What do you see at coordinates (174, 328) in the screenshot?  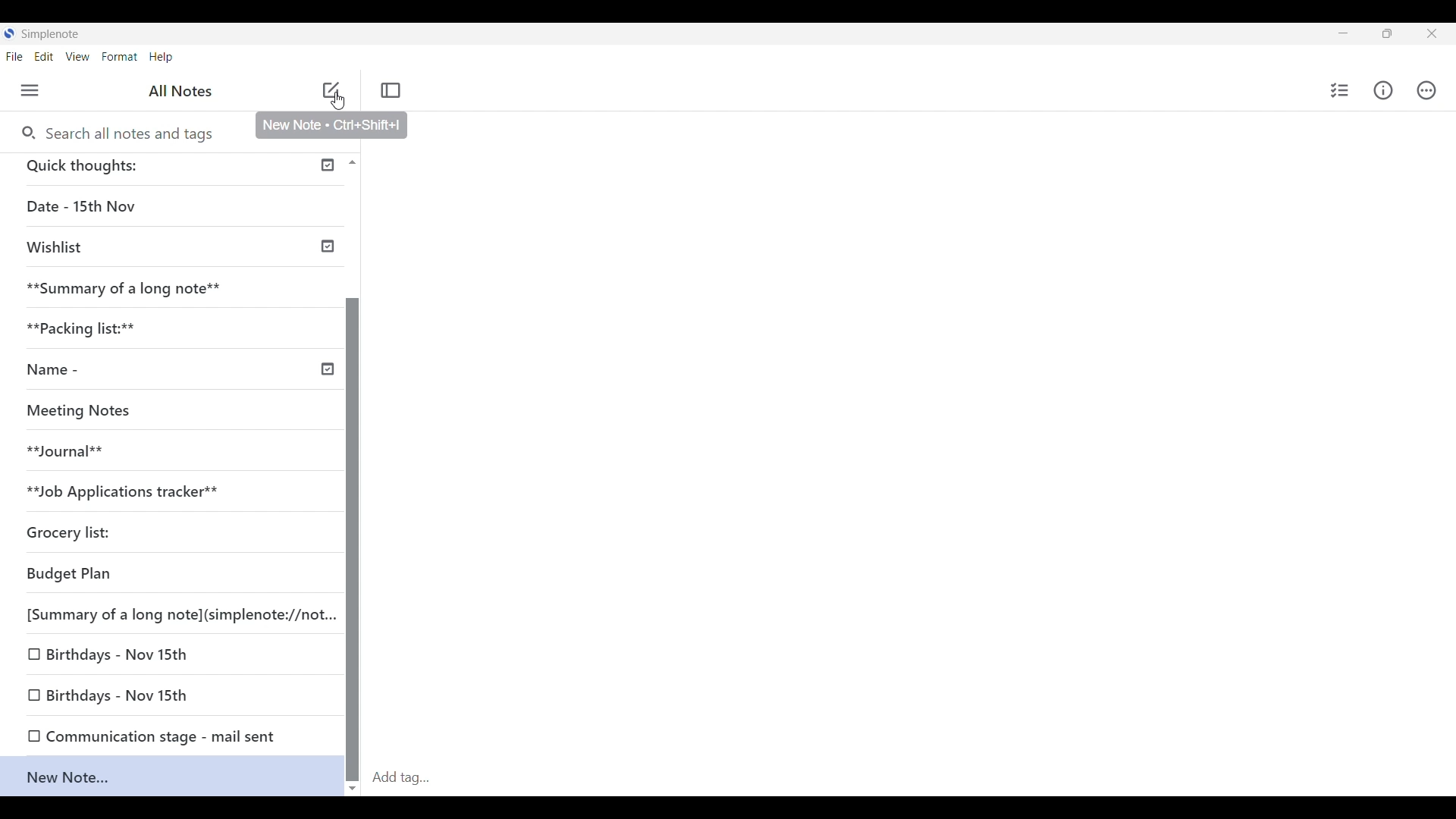 I see `**Packing list:**` at bounding box center [174, 328].